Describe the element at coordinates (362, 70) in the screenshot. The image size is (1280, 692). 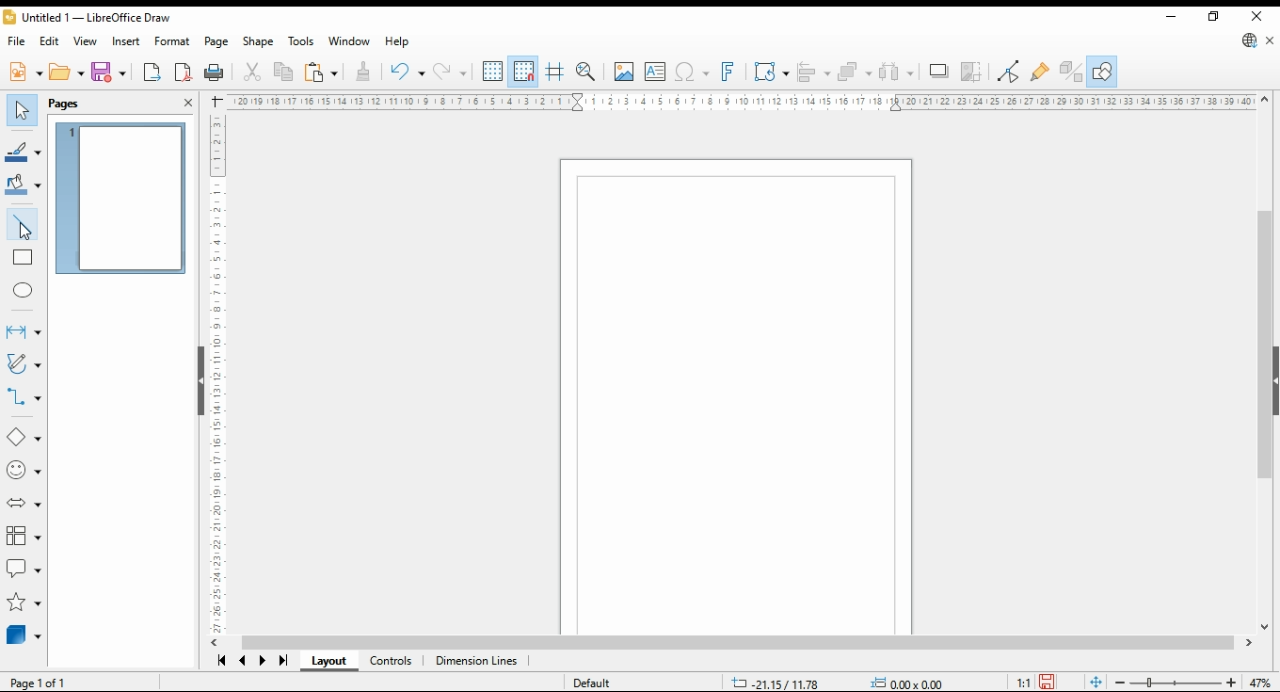
I see `clone formatting` at that location.